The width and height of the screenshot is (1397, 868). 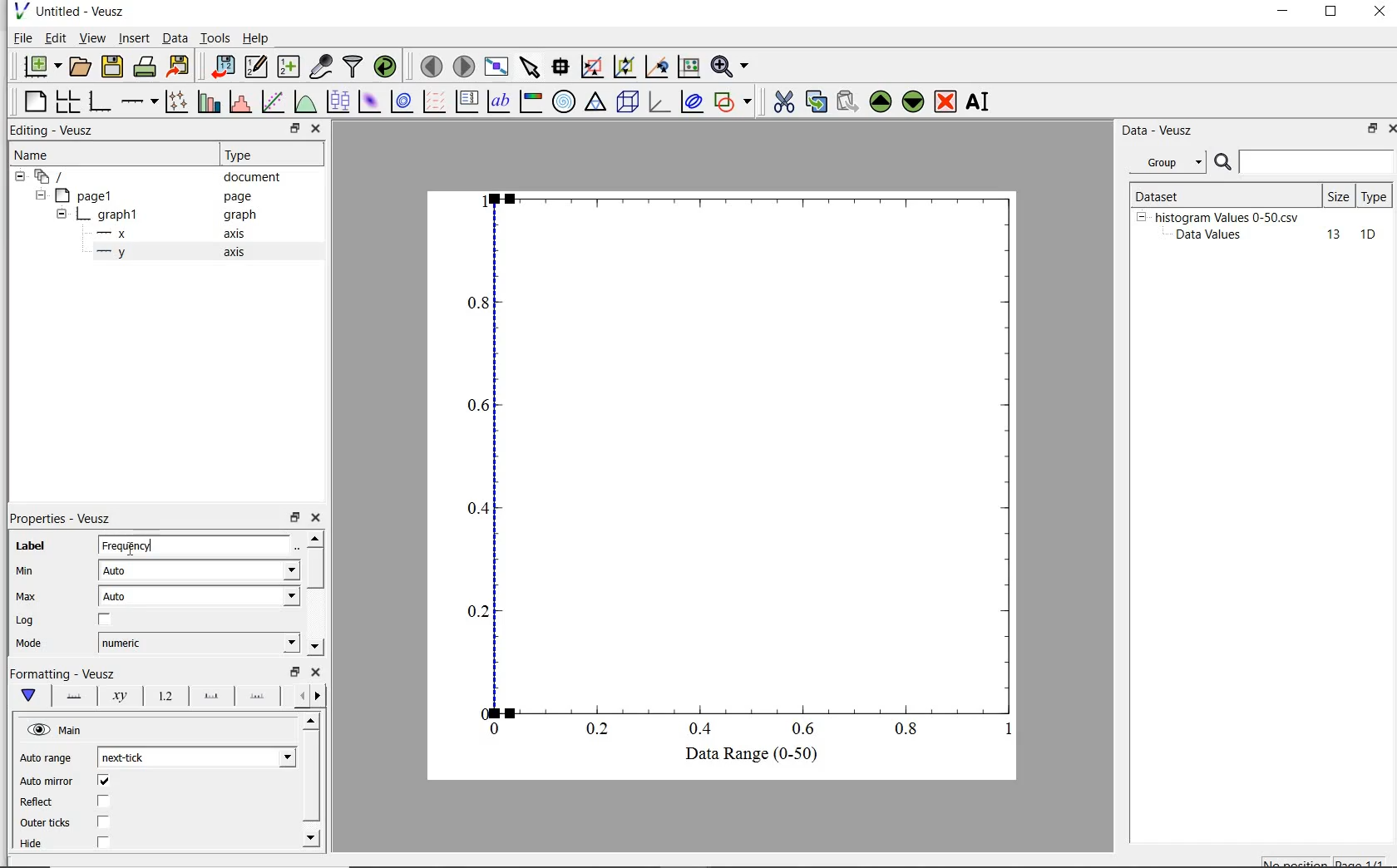 What do you see at coordinates (39, 195) in the screenshot?
I see `hide` at bounding box center [39, 195].